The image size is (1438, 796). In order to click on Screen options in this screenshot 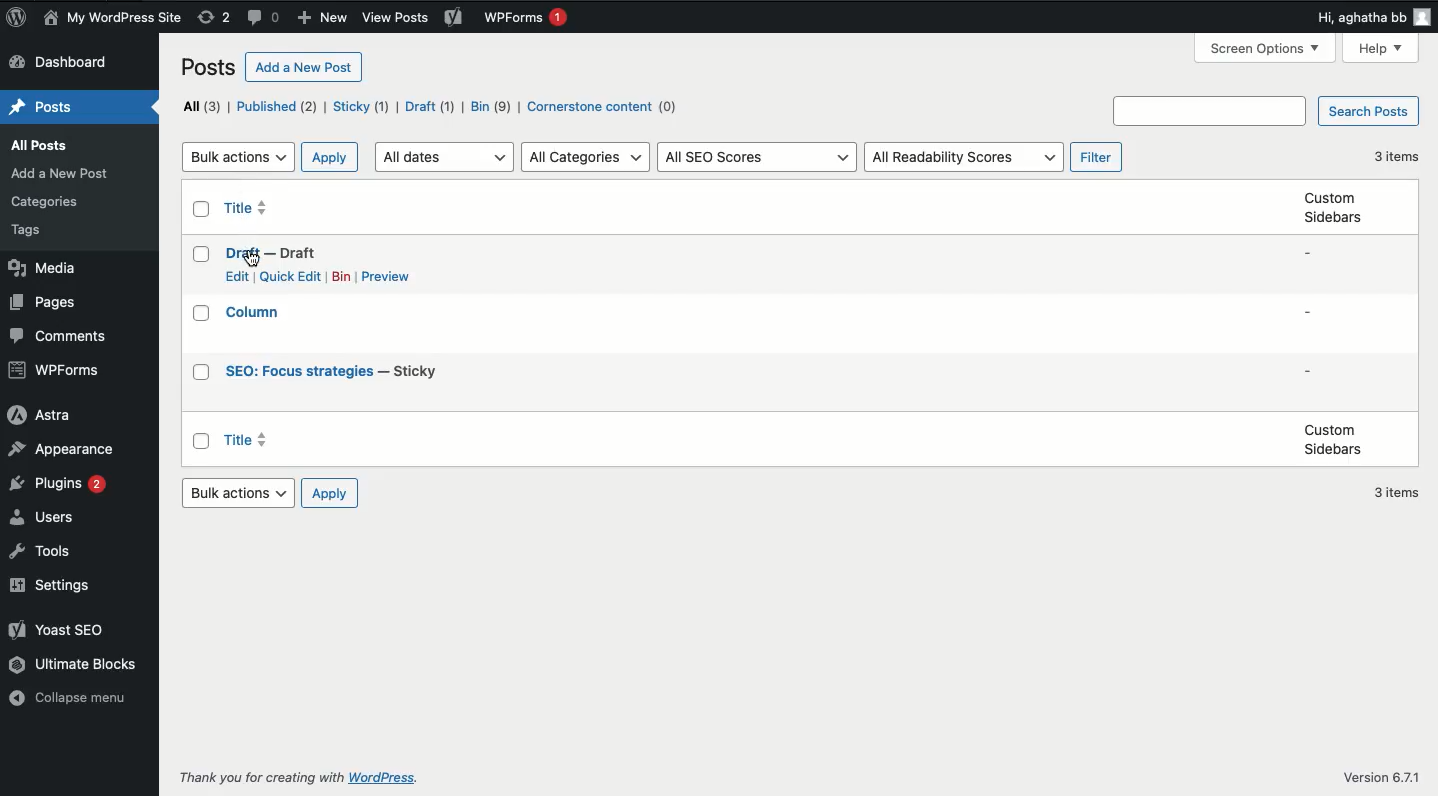, I will do `click(1266, 51)`.